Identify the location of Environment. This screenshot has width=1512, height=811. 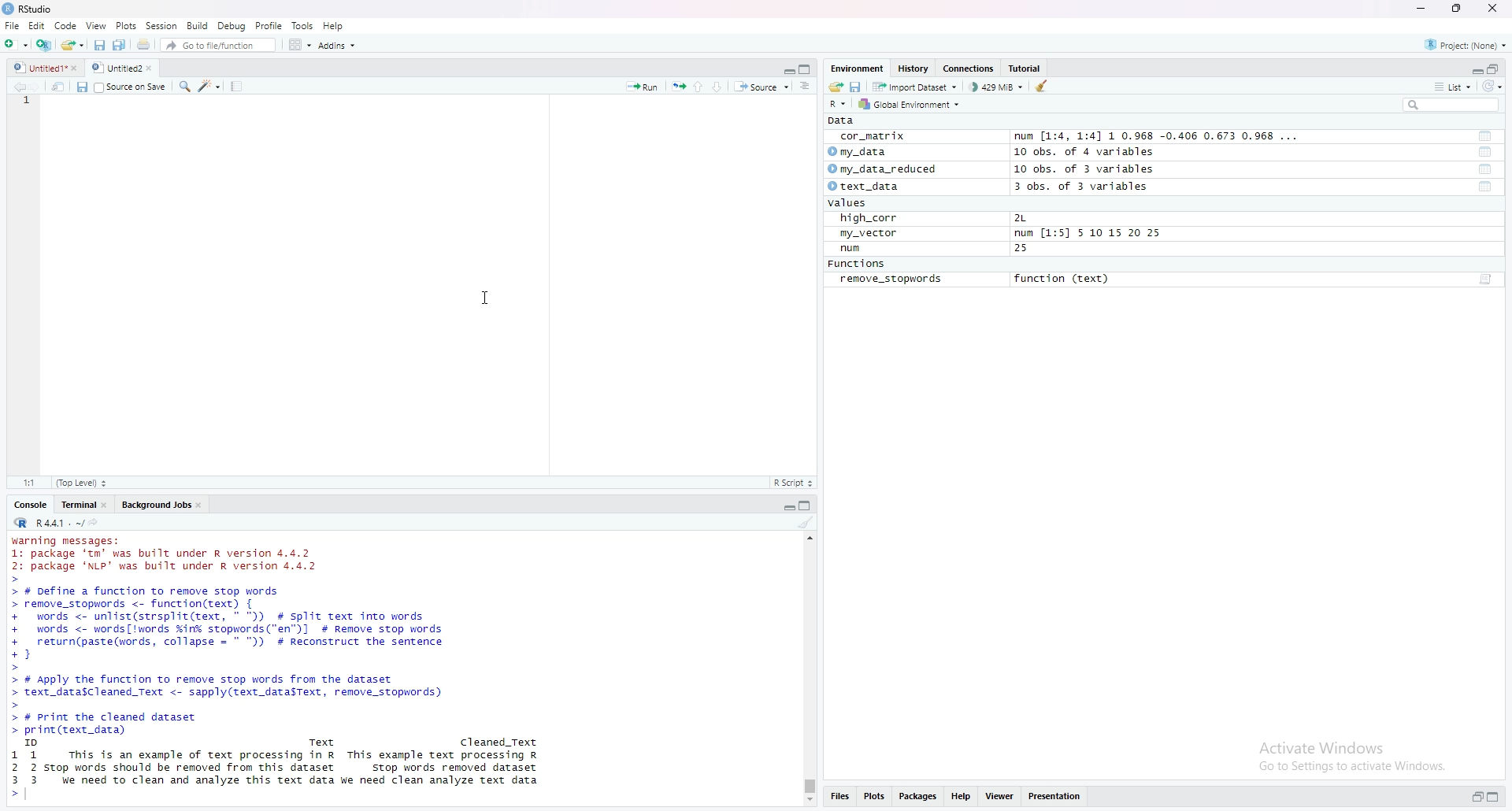
(856, 69).